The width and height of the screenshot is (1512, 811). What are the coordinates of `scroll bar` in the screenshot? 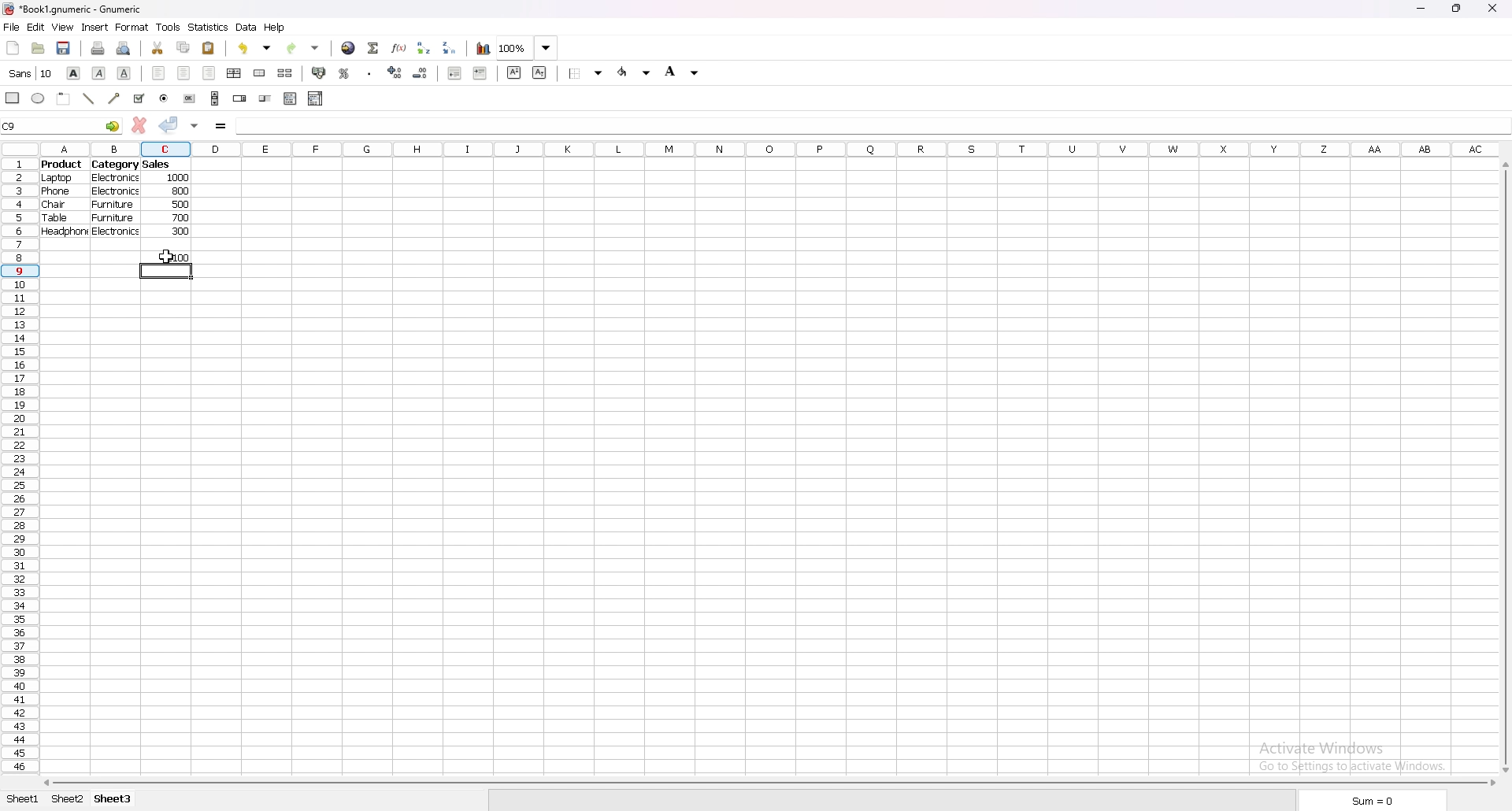 It's located at (214, 98).